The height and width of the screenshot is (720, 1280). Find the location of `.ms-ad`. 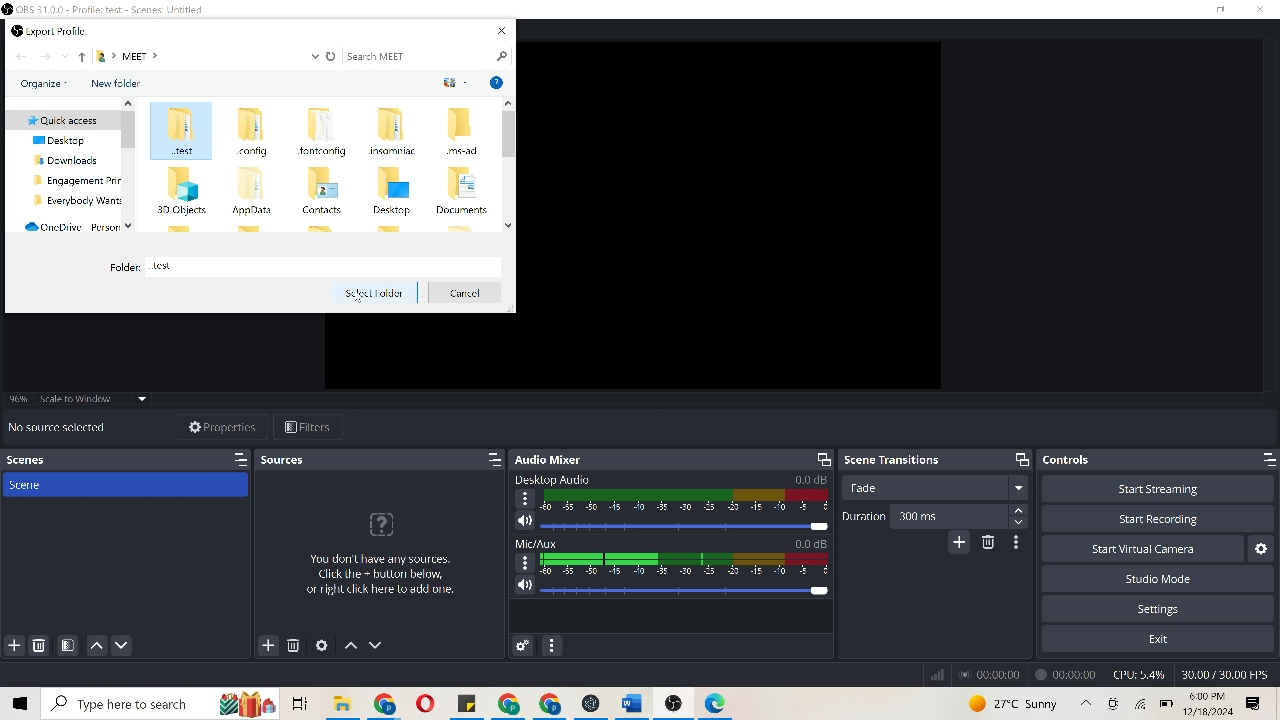

.ms-ad is located at coordinates (464, 132).